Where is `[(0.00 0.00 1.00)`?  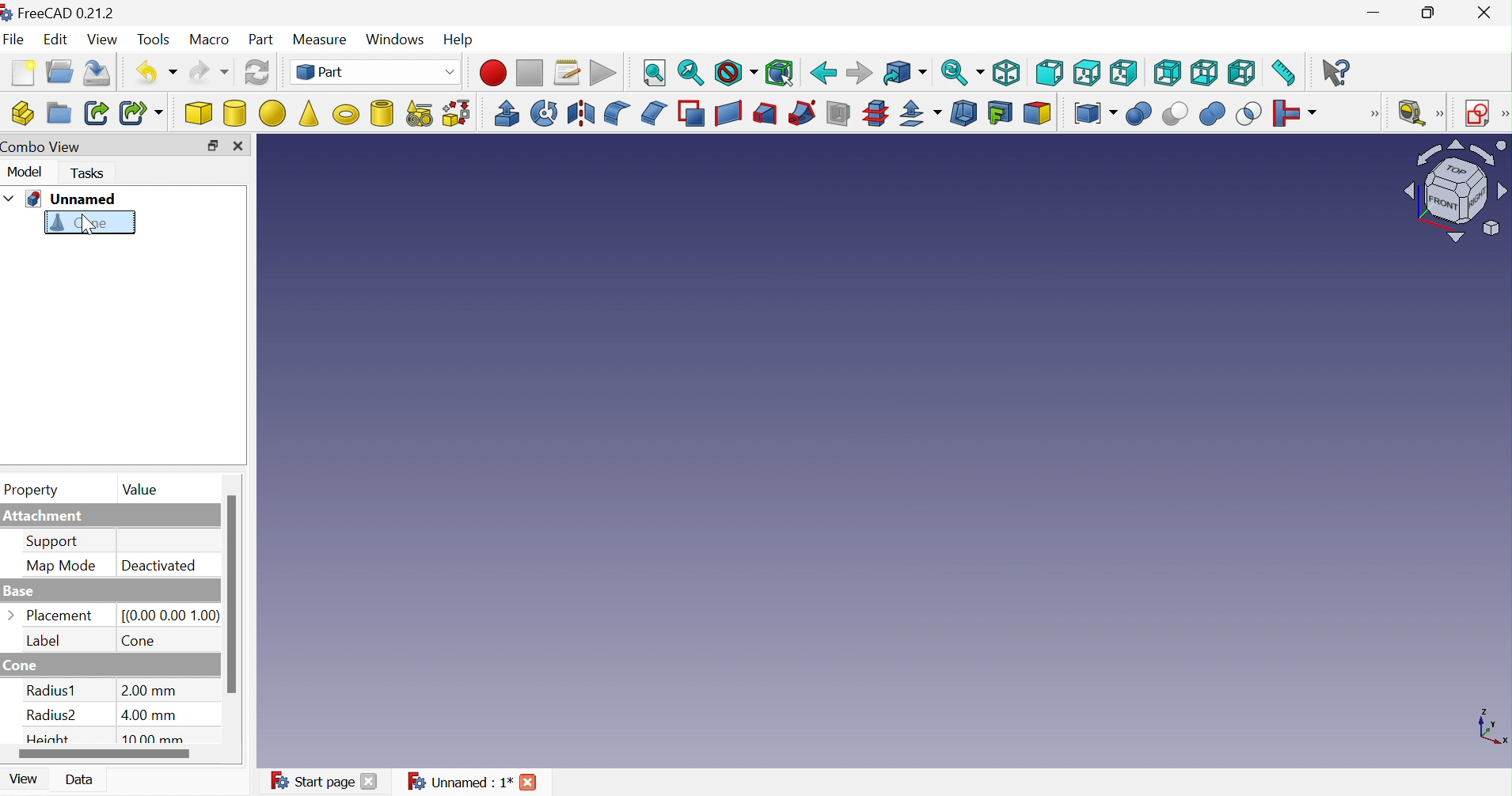 [(0.00 0.00 1.00) is located at coordinates (172, 616).